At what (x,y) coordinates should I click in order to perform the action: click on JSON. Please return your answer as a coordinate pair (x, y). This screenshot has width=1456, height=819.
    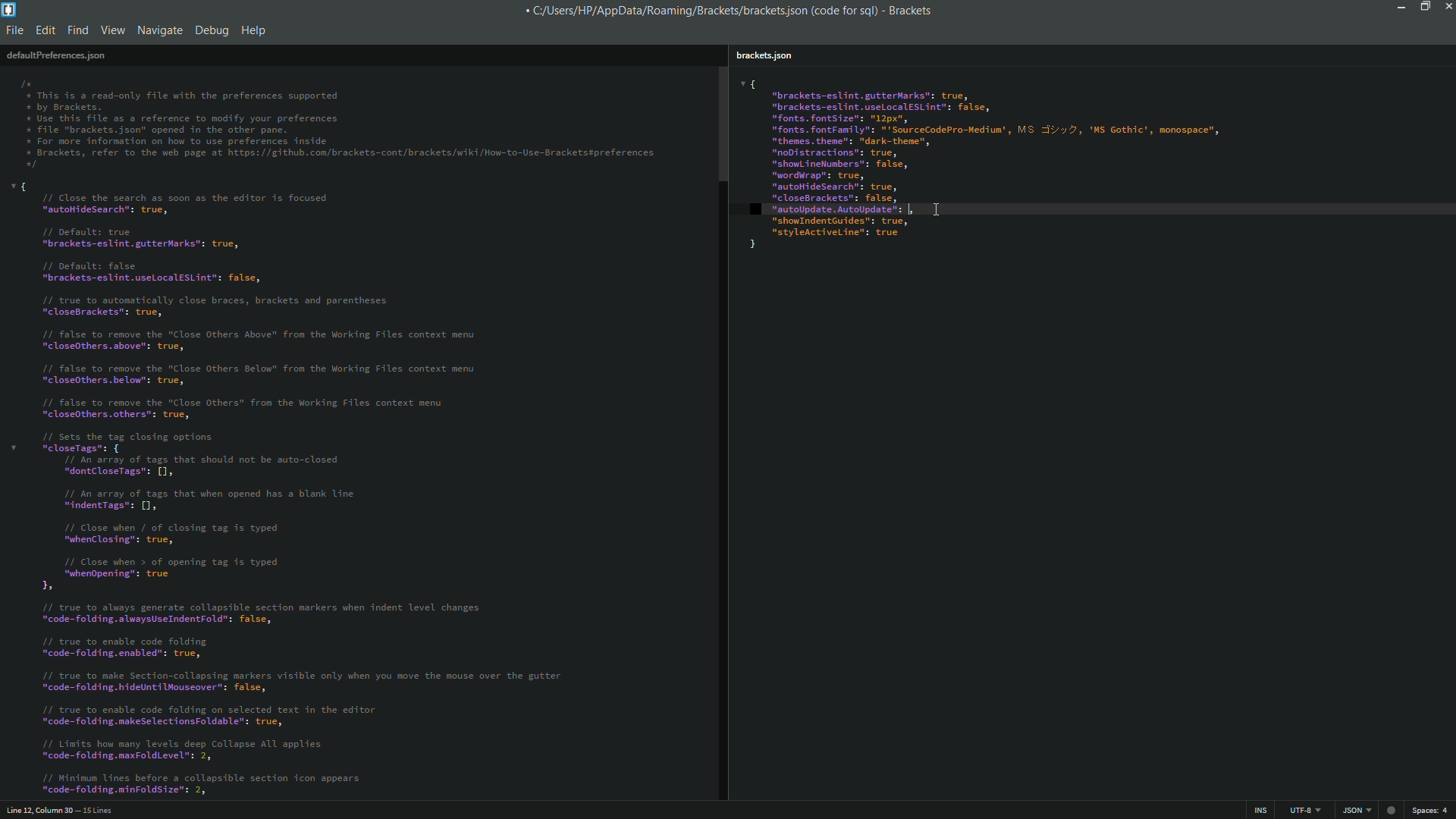
    Looking at the image, I should click on (1354, 810).